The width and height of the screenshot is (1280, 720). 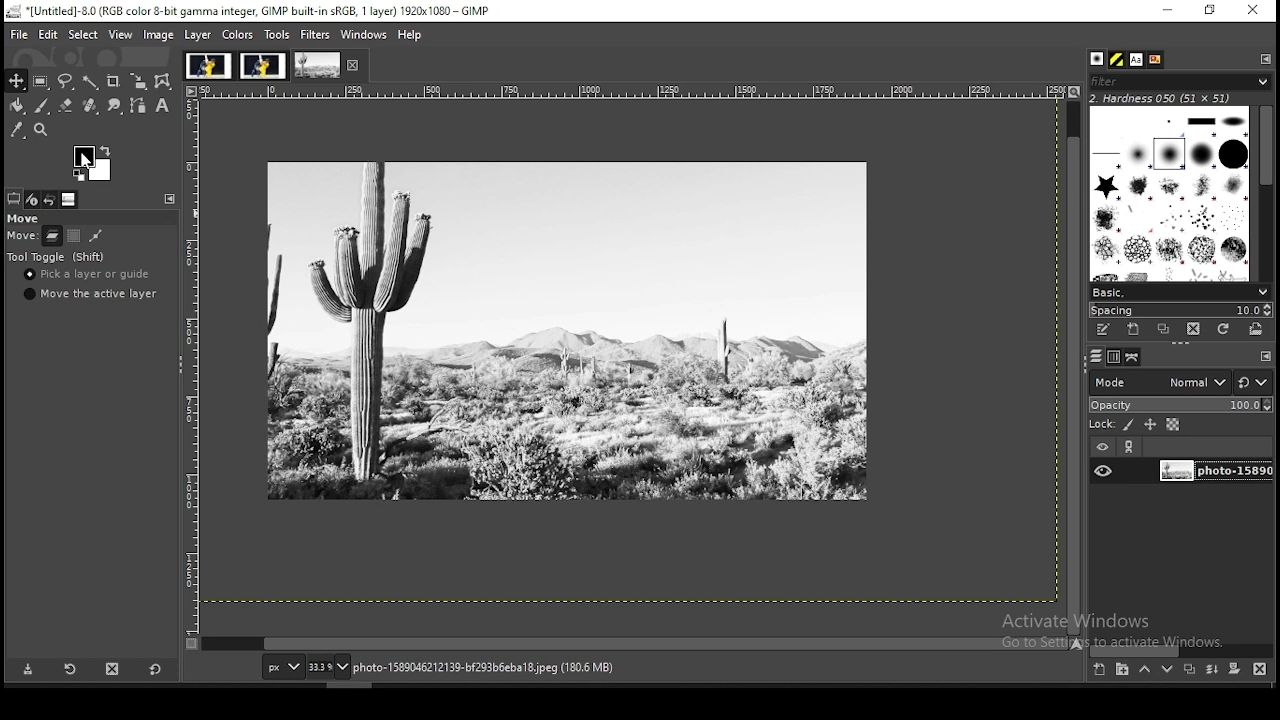 What do you see at coordinates (317, 65) in the screenshot?
I see `image` at bounding box center [317, 65].